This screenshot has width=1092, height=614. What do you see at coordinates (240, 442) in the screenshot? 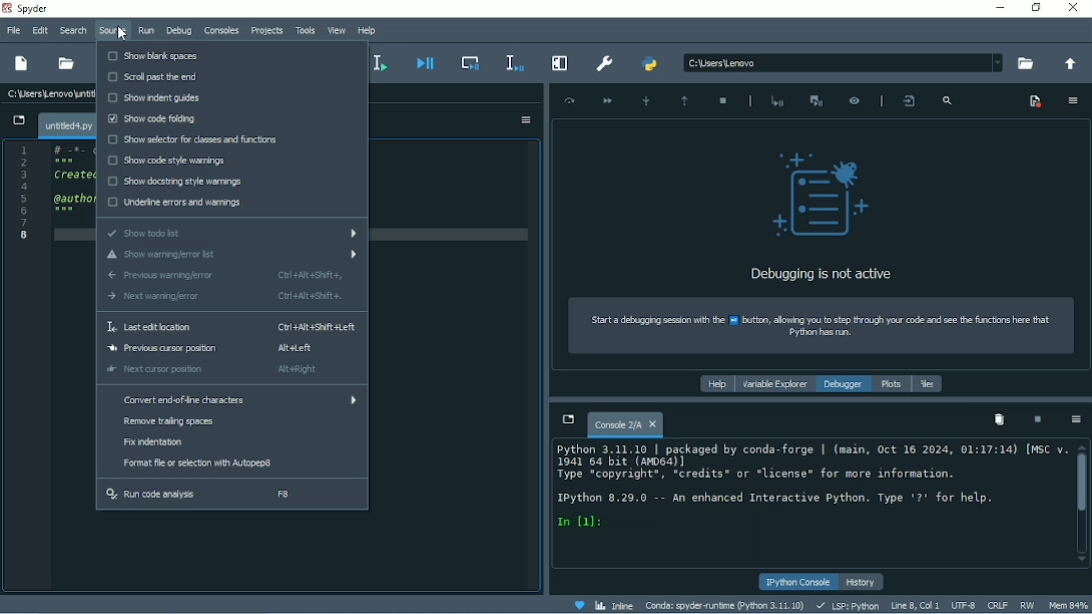
I see `Fix indentation` at bounding box center [240, 442].